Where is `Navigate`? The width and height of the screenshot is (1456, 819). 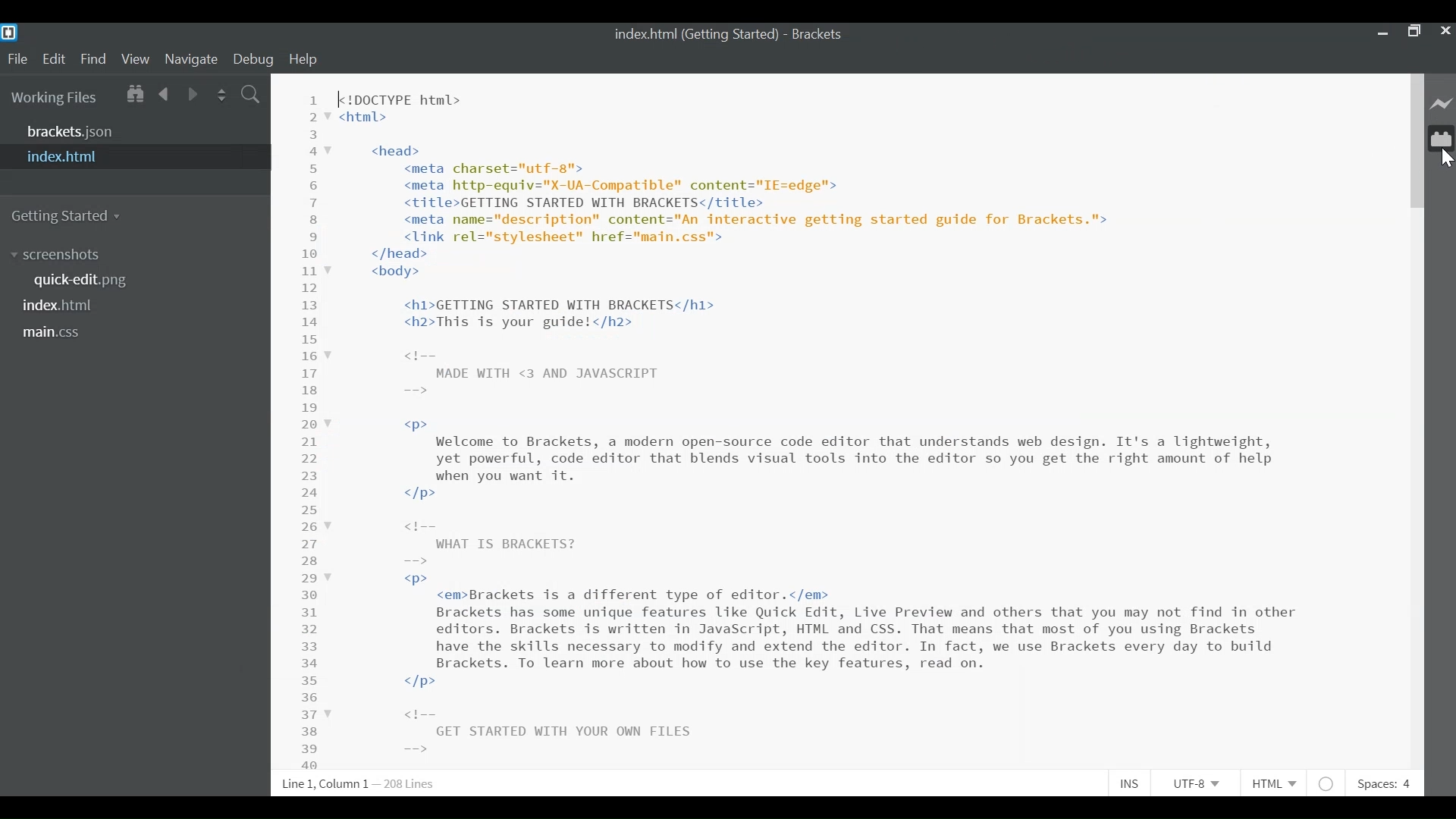 Navigate is located at coordinates (193, 60).